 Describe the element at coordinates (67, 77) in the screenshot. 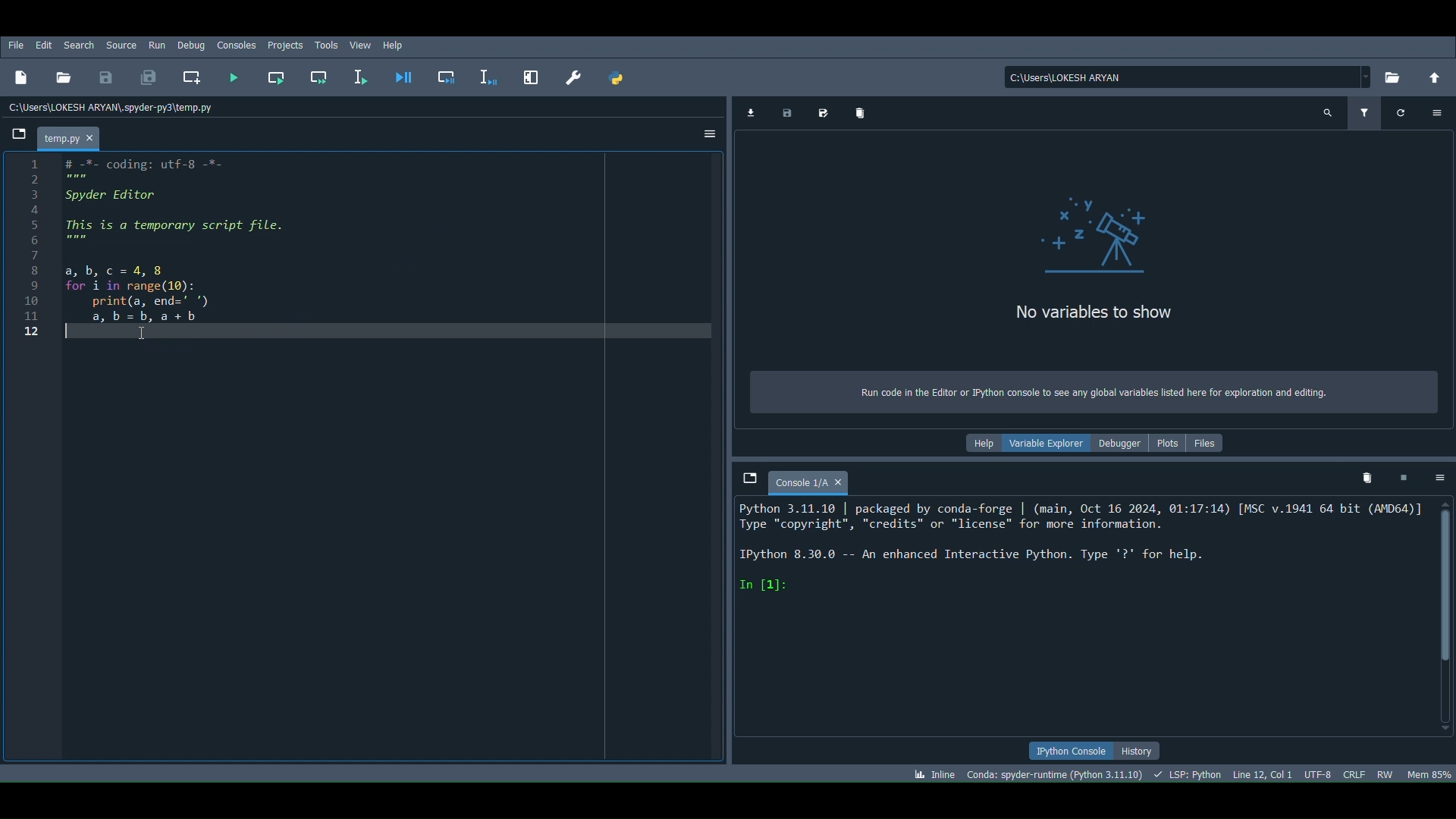

I see `Open file (Ctrl + O)` at that location.